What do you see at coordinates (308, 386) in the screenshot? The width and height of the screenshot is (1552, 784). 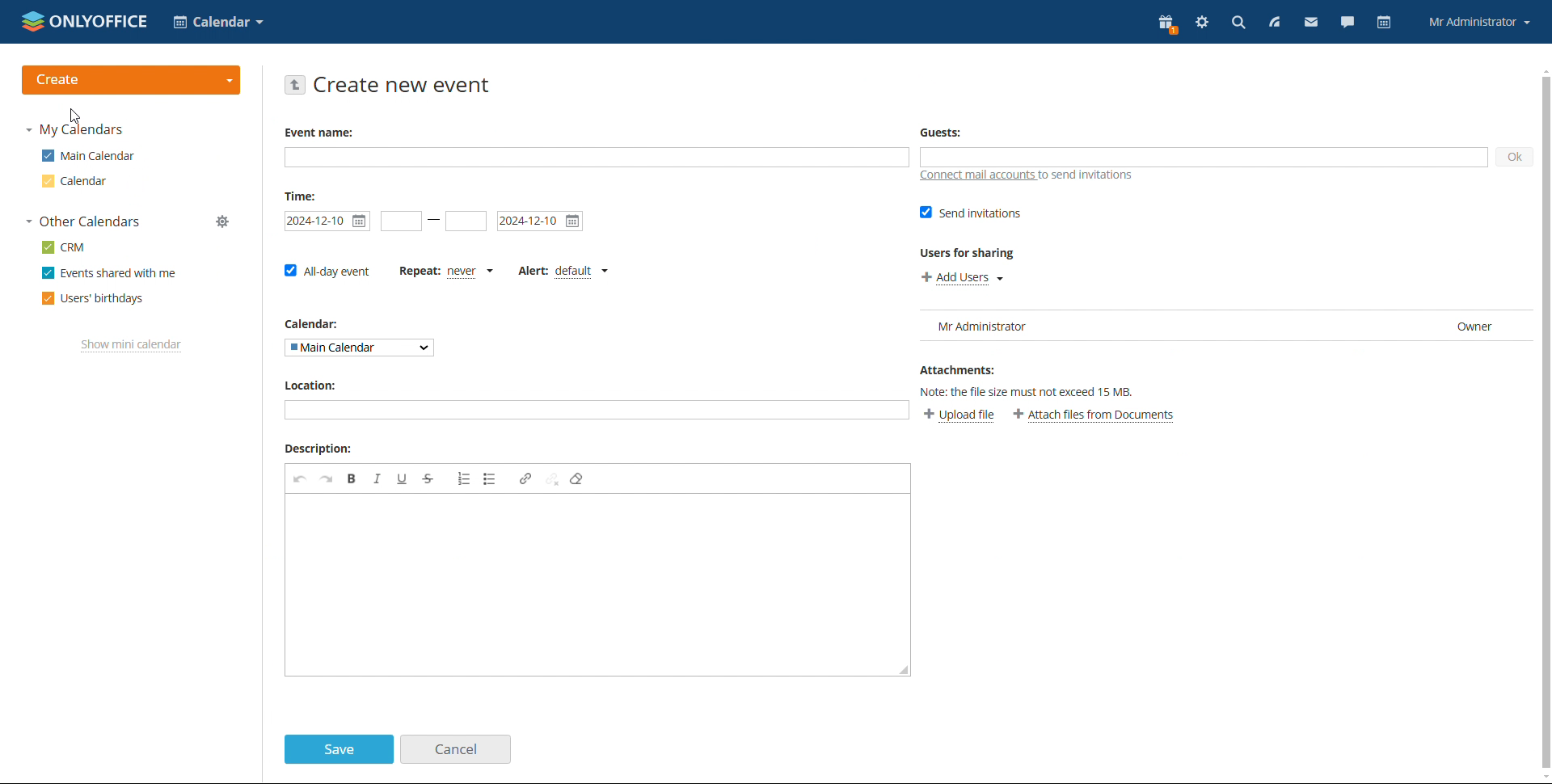 I see `Location:` at bounding box center [308, 386].